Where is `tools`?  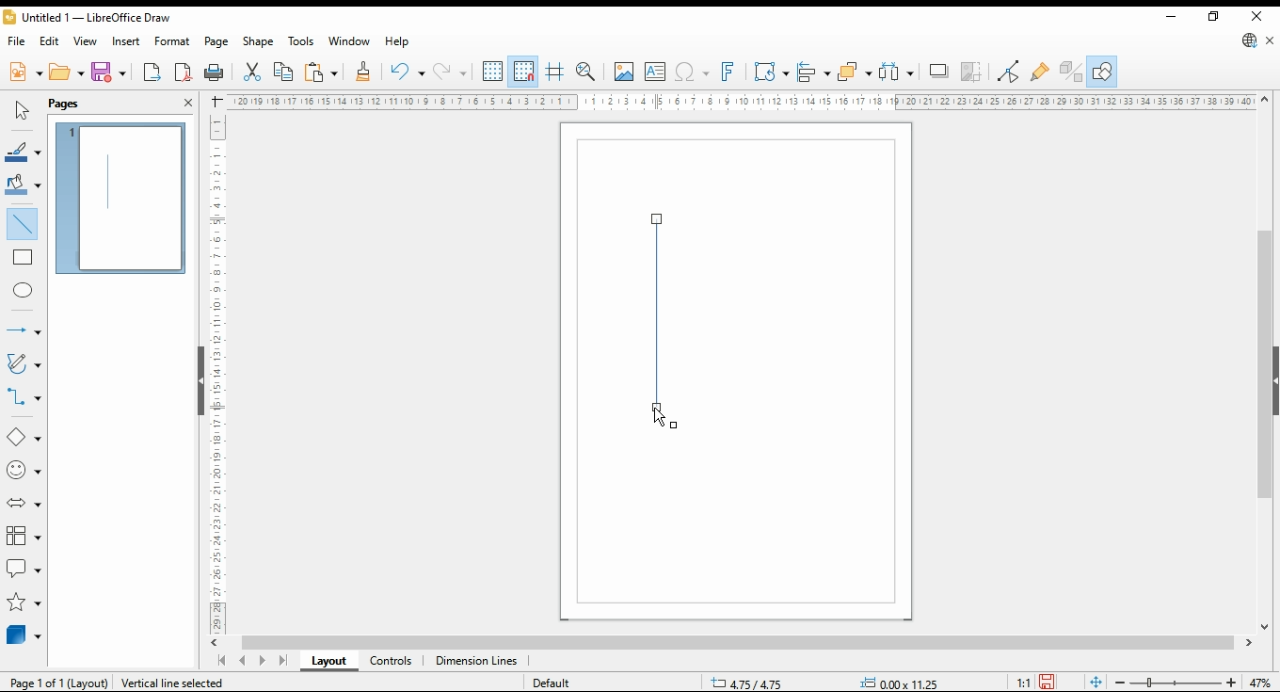
tools is located at coordinates (302, 42).